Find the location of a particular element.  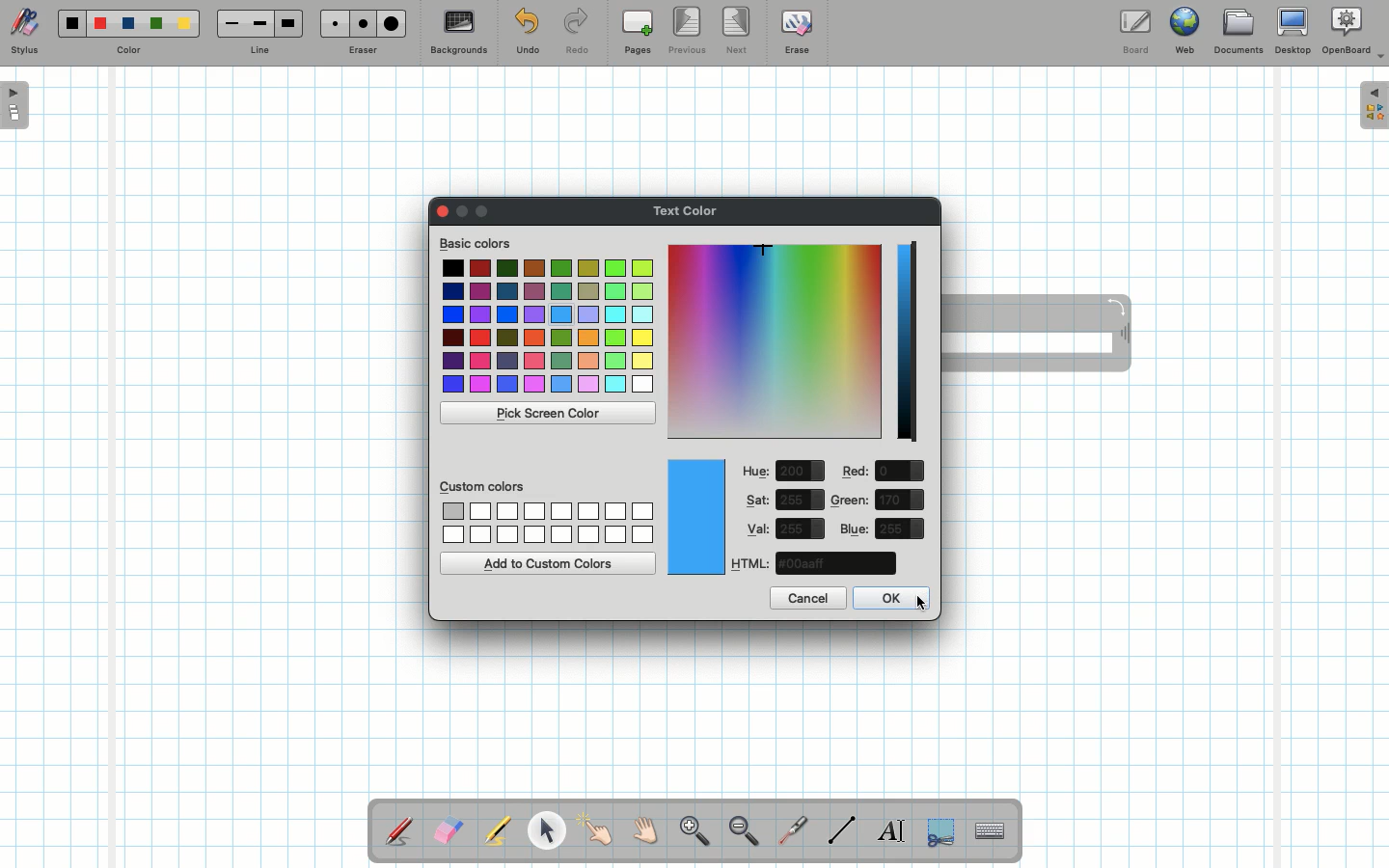

cursor is located at coordinates (923, 604).